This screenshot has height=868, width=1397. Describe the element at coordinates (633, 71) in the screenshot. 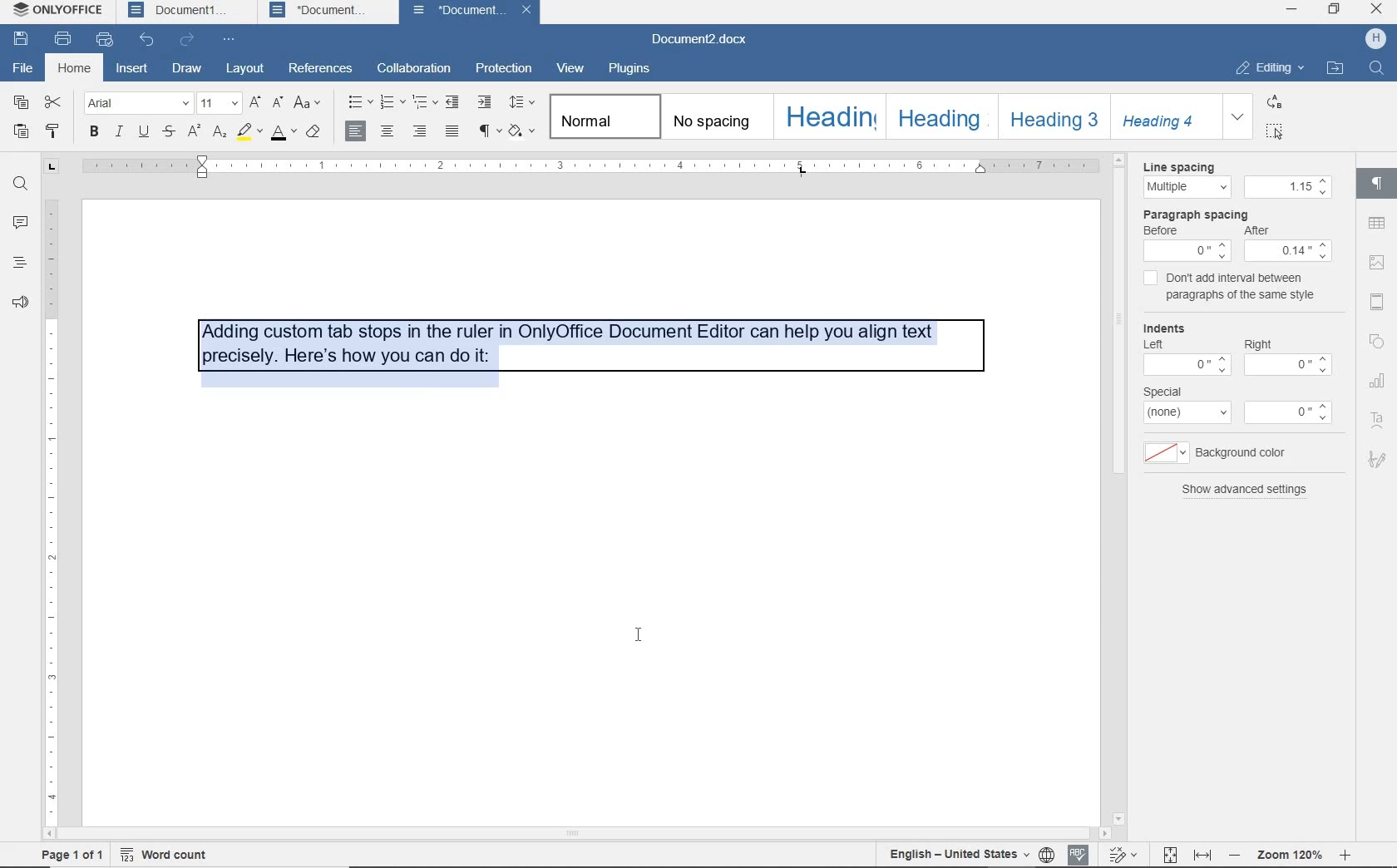

I see `plugins` at that location.